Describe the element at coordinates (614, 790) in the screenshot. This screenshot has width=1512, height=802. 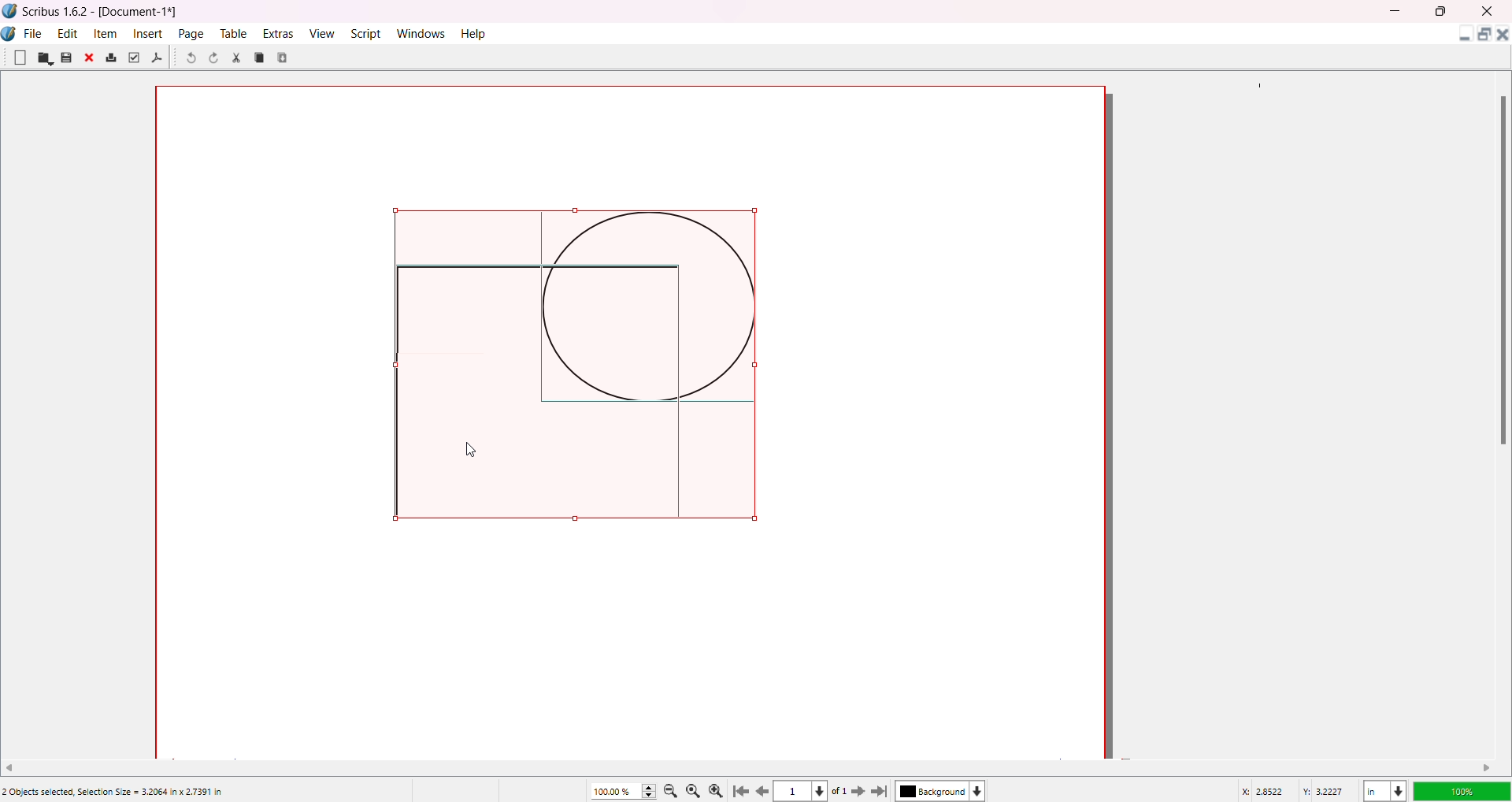
I see `Zoom percentage` at that location.